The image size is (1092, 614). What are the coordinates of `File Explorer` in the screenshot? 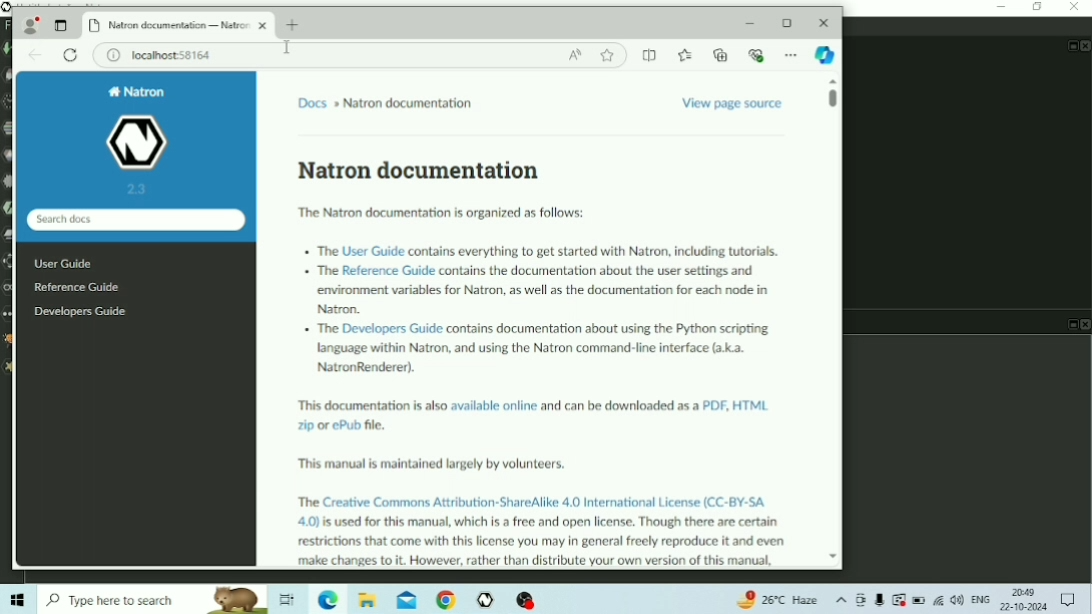 It's located at (369, 599).